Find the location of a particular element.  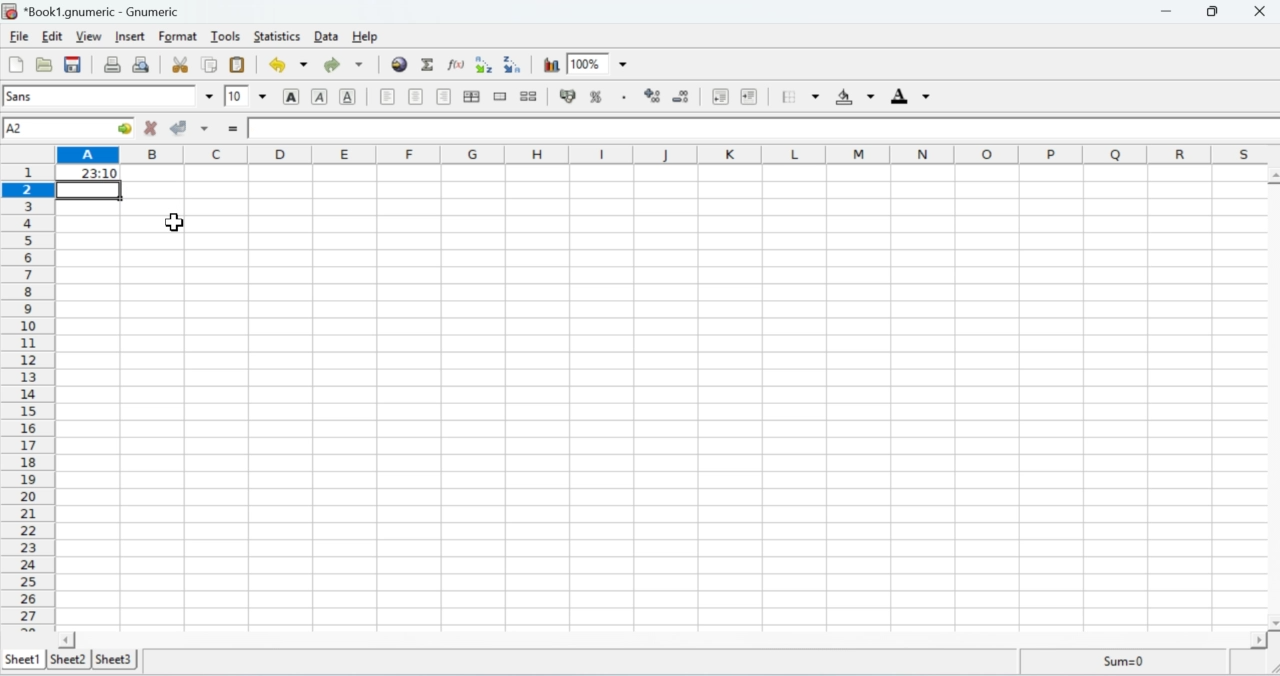

Tools is located at coordinates (226, 37).